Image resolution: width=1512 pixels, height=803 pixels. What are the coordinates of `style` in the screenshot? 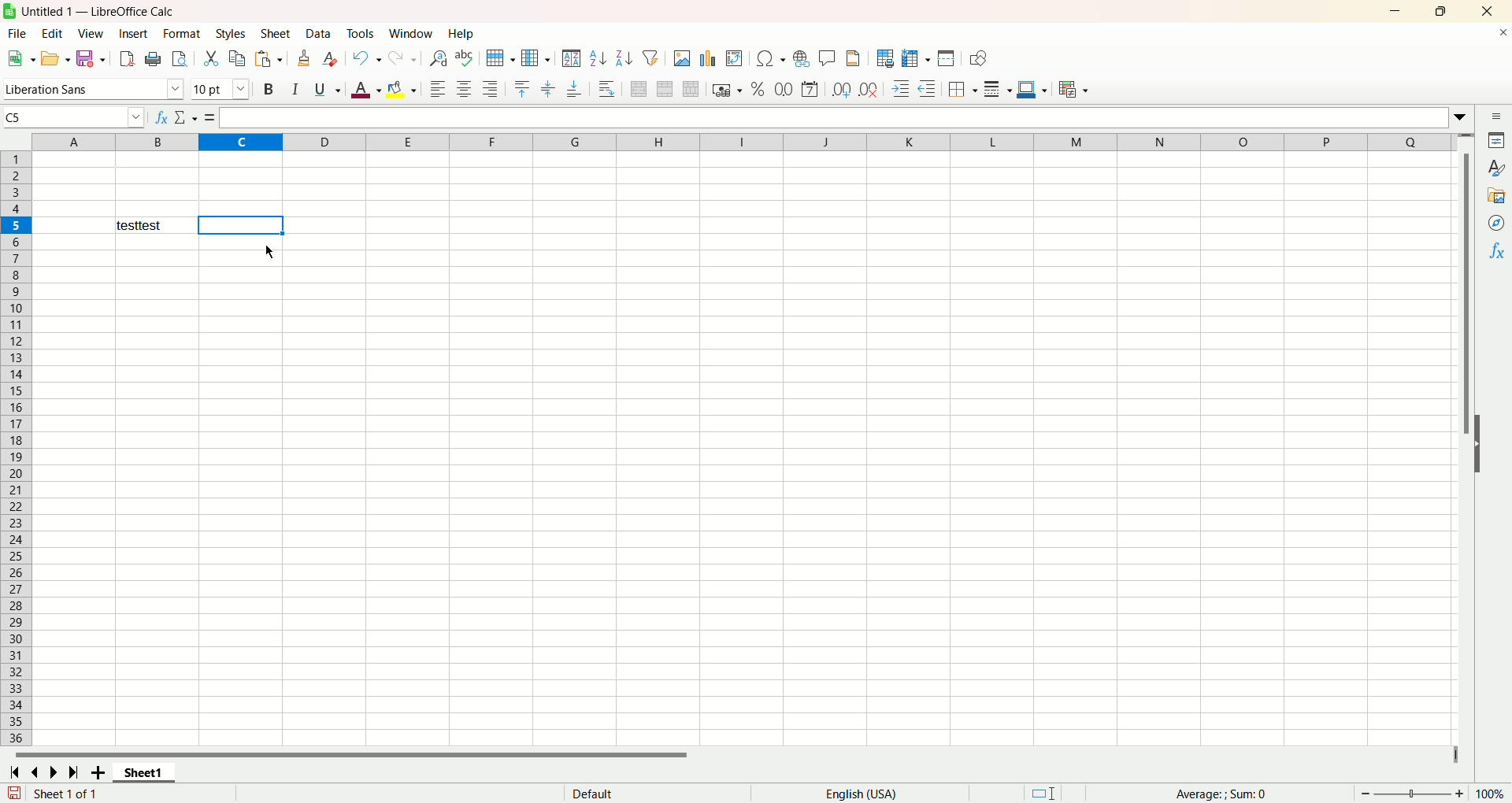 It's located at (1492, 167).